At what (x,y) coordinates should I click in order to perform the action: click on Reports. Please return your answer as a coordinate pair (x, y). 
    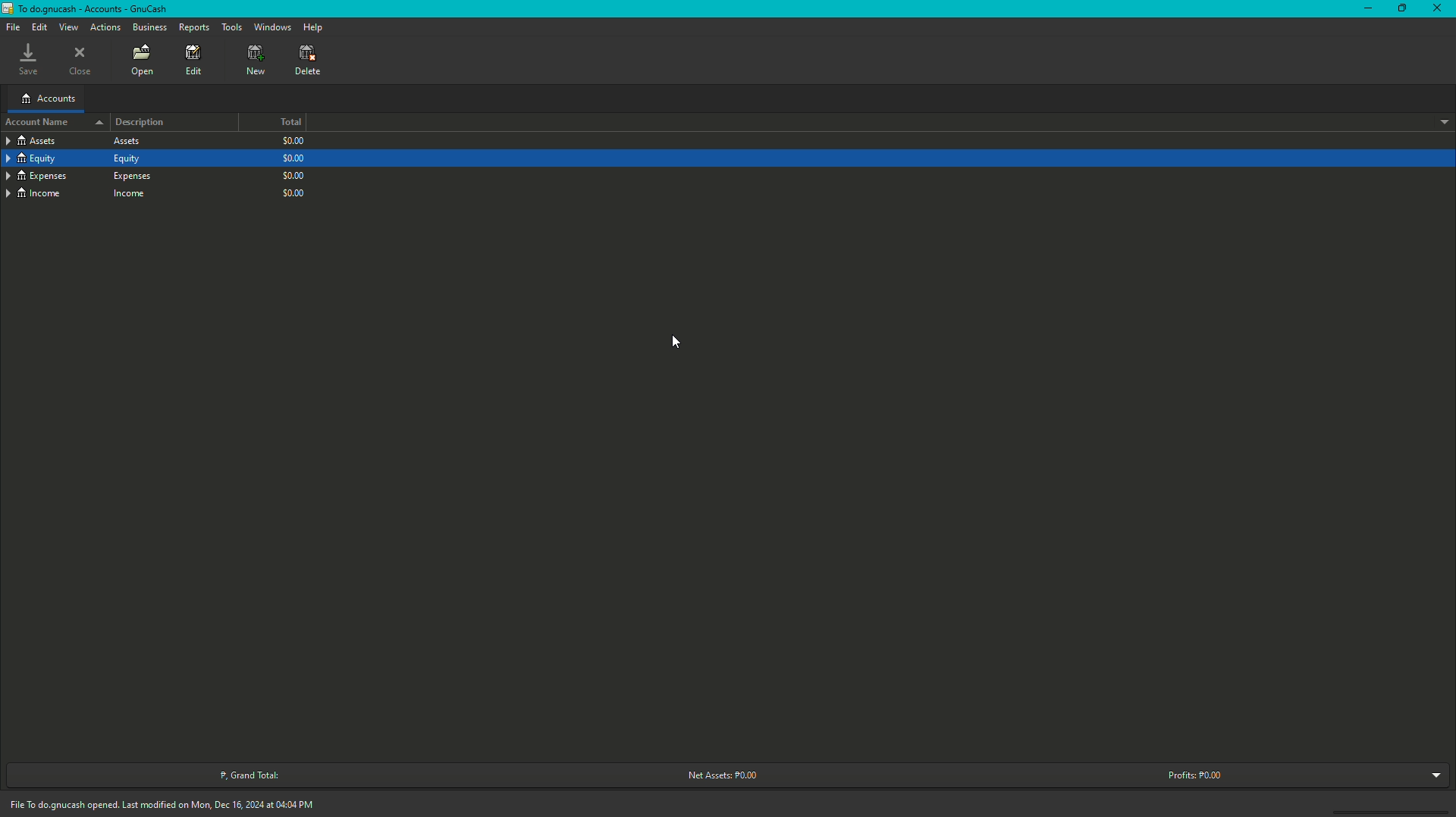
    Looking at the image, I should click on (196, 27).